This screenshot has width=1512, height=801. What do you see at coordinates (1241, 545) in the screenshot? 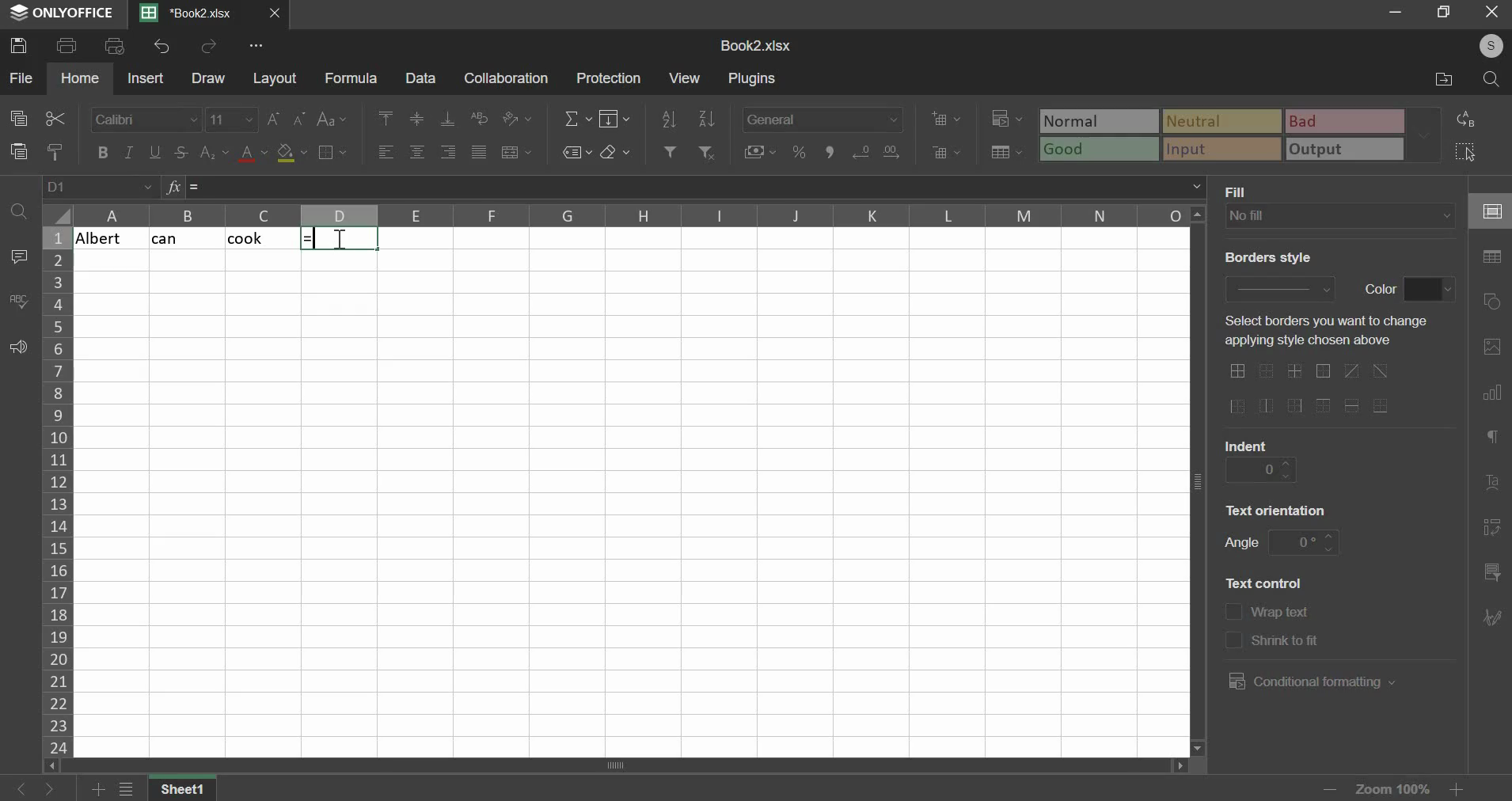
I see `text` at bounding box center [1241, 545].